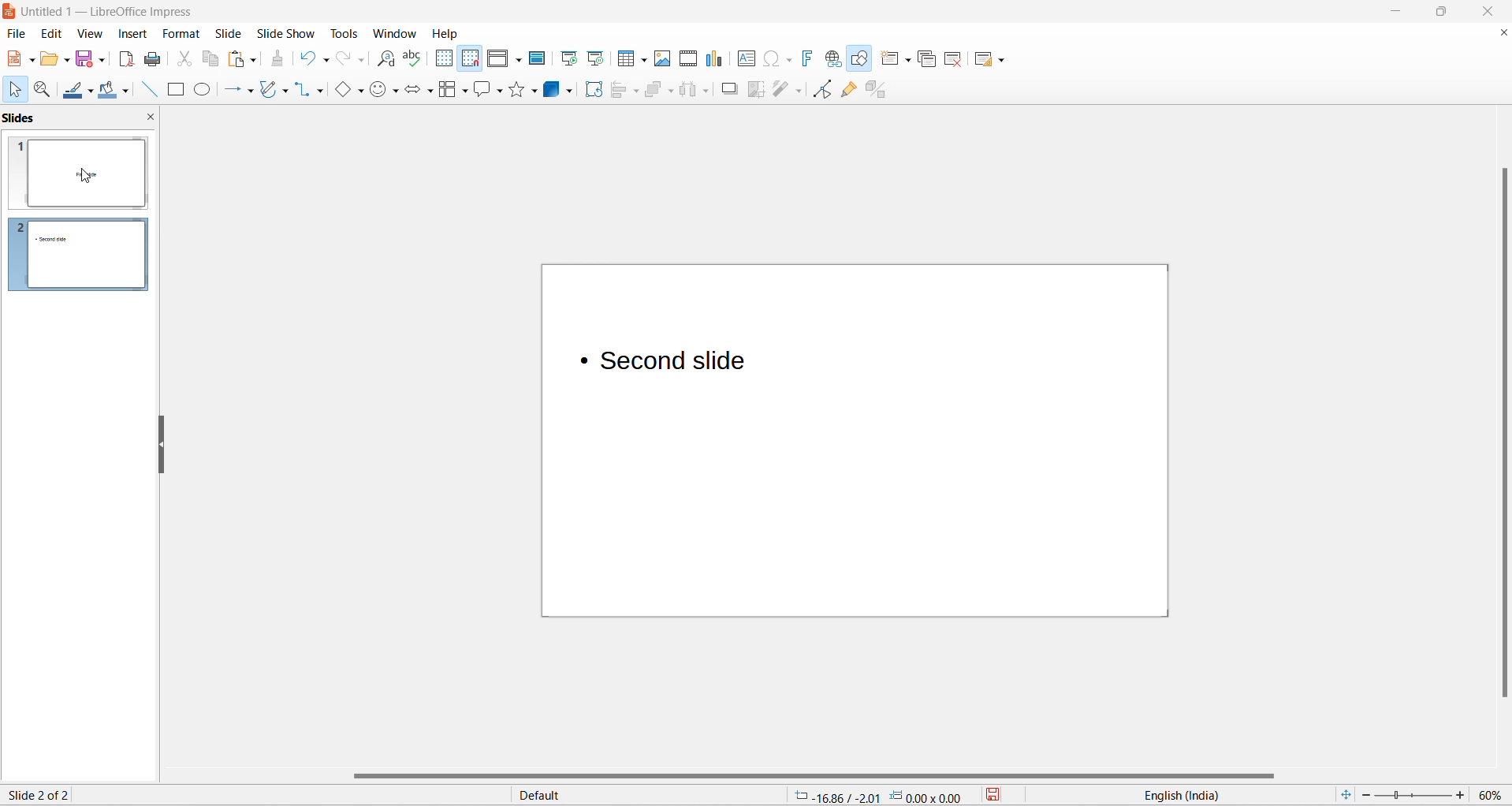 The width and height of the screenshot is (1512, 806). I want to click on fill color options, so click(126, 90).